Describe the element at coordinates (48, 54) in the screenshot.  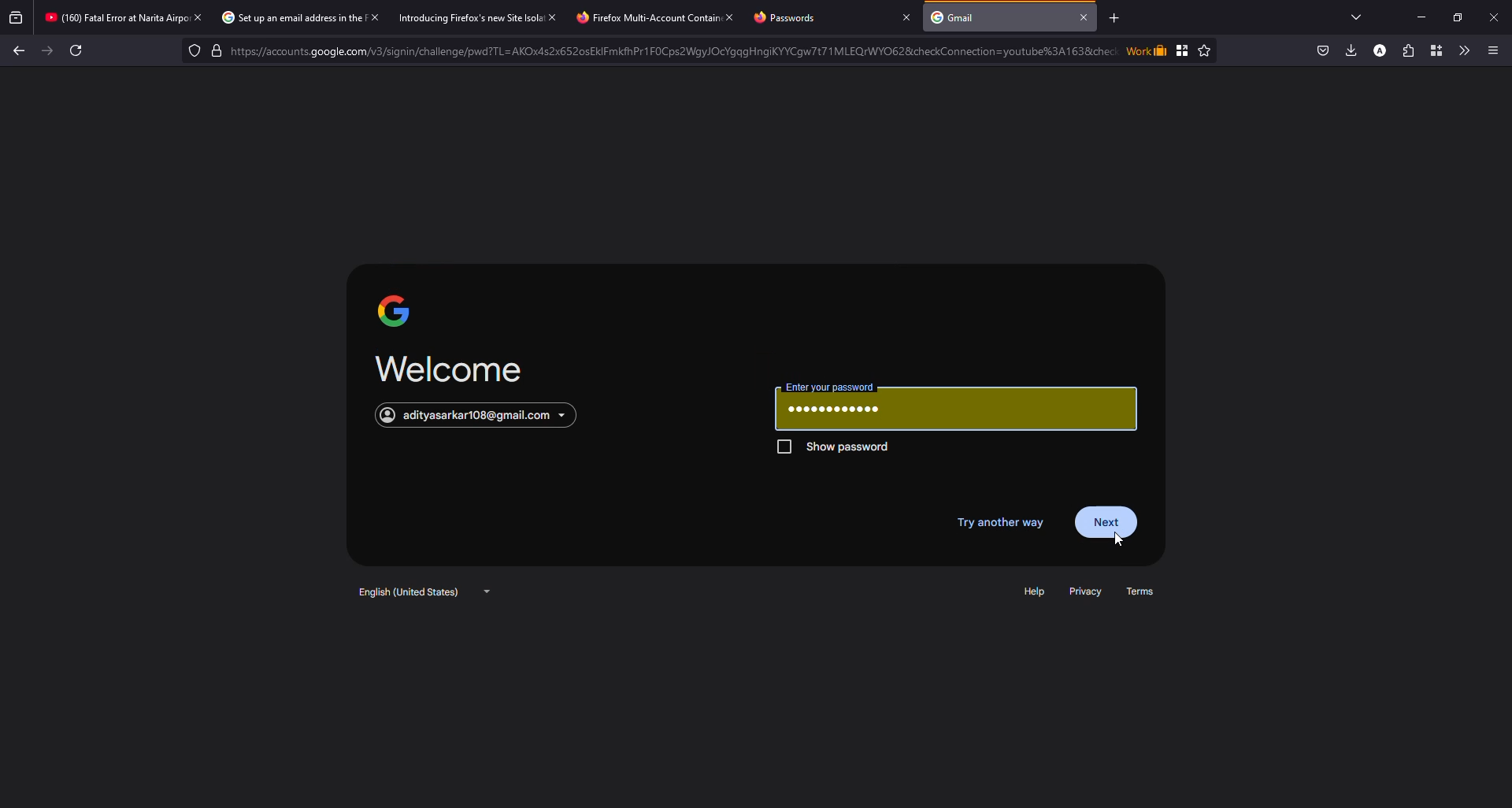
I see `forward` at that location.